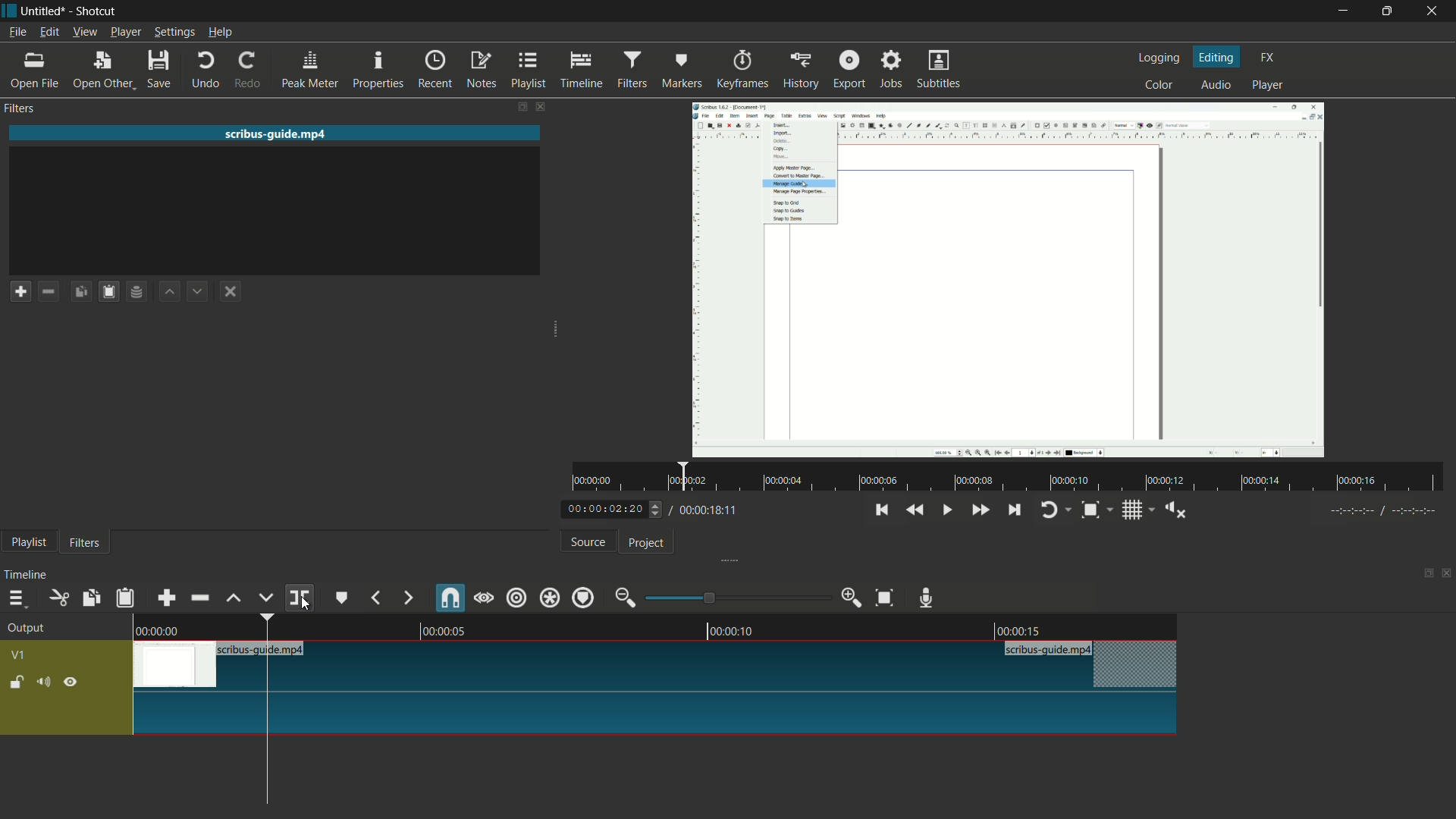  What do you see at coordinates (1447, 575) in the screenshot?
I see `close timeline` at bounding box center [1447, 575].